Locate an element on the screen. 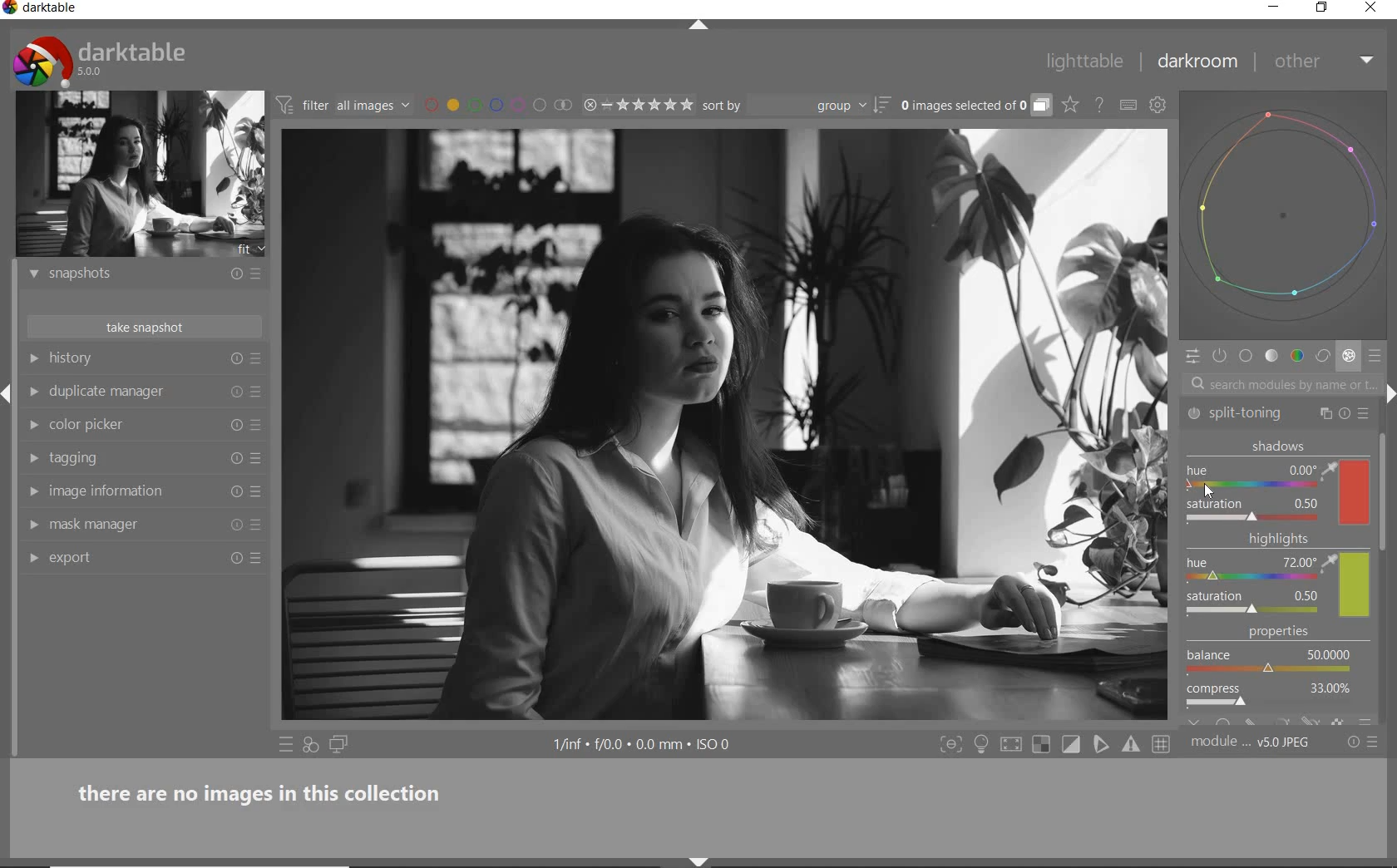 The width and height of the screenshot is (1397, 868). shift+ctrl+f is located at coordinates (951, 745).